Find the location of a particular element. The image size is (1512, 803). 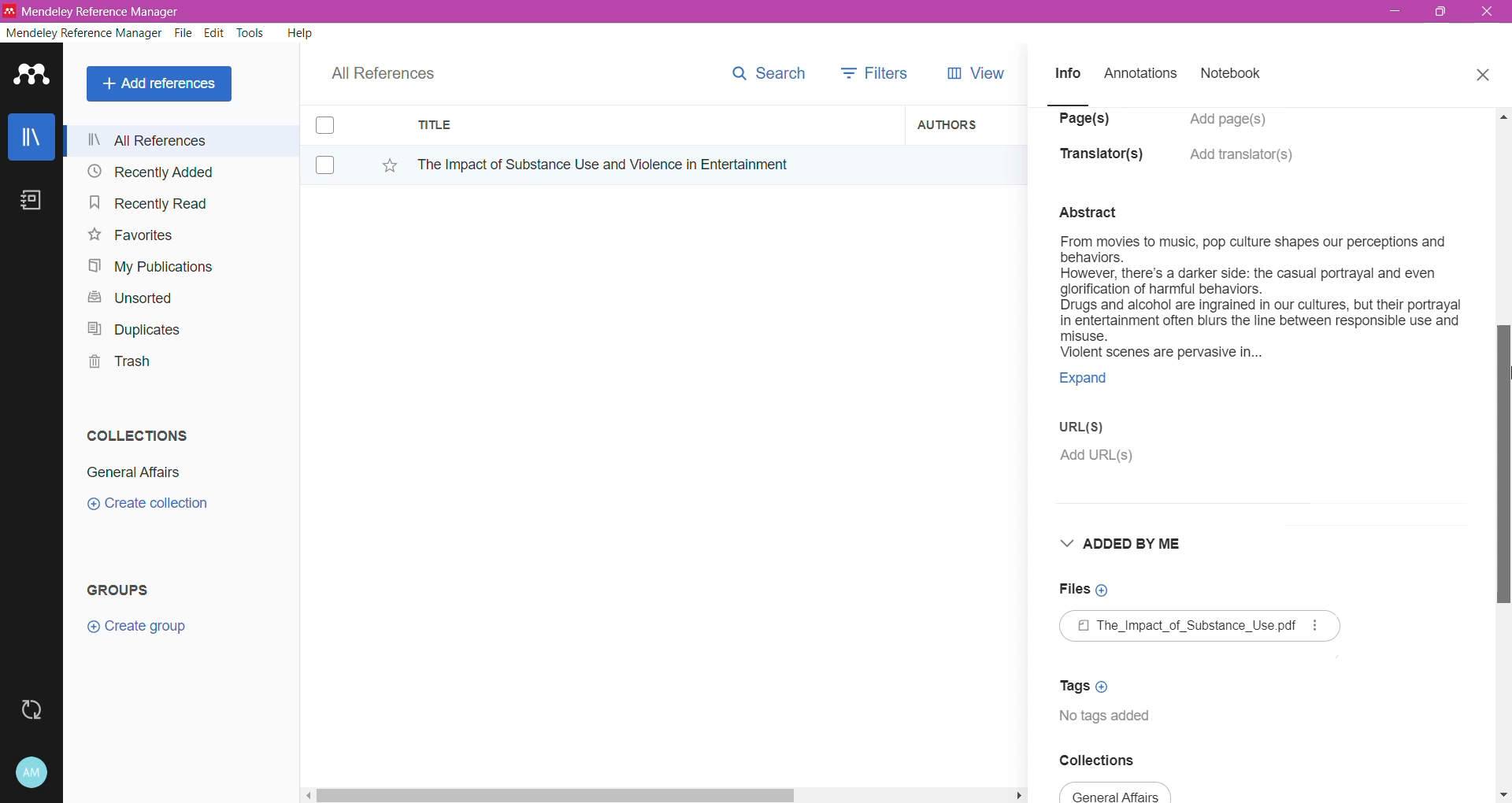

Groups is located at coordinates (124, 589).